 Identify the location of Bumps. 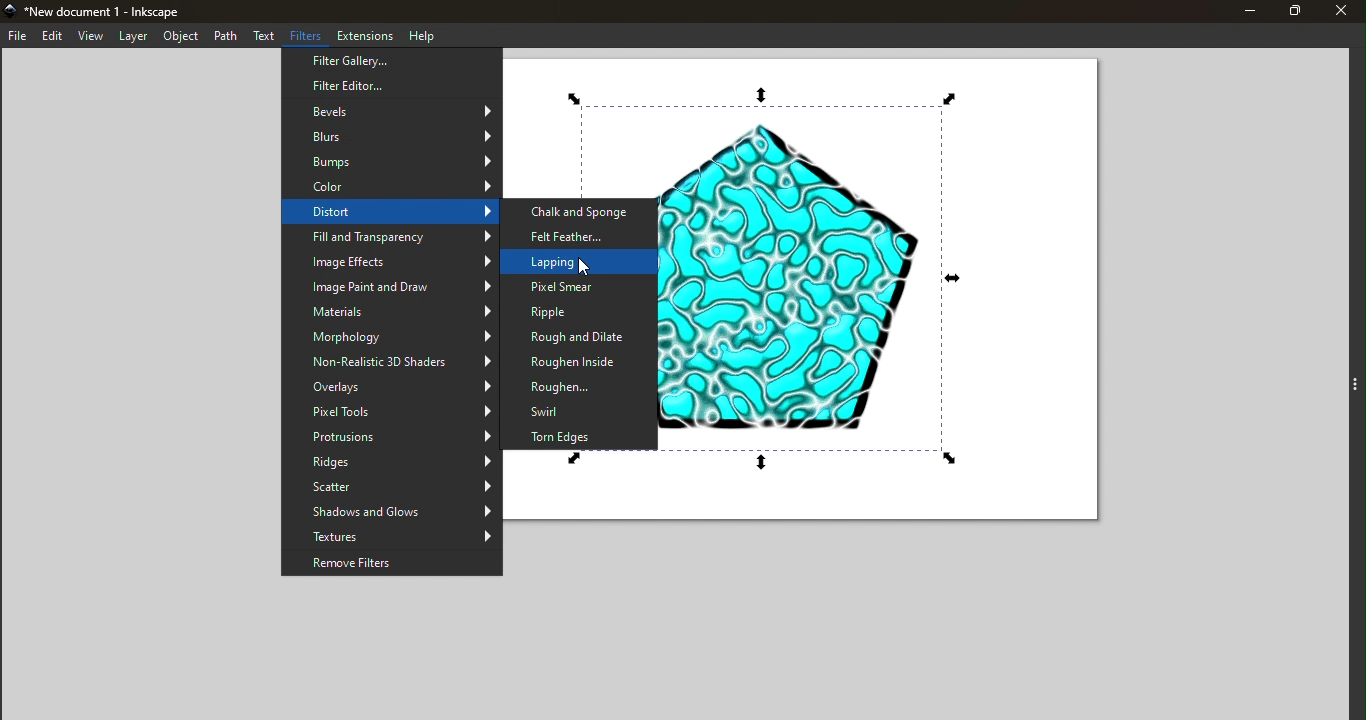
(391, 161).